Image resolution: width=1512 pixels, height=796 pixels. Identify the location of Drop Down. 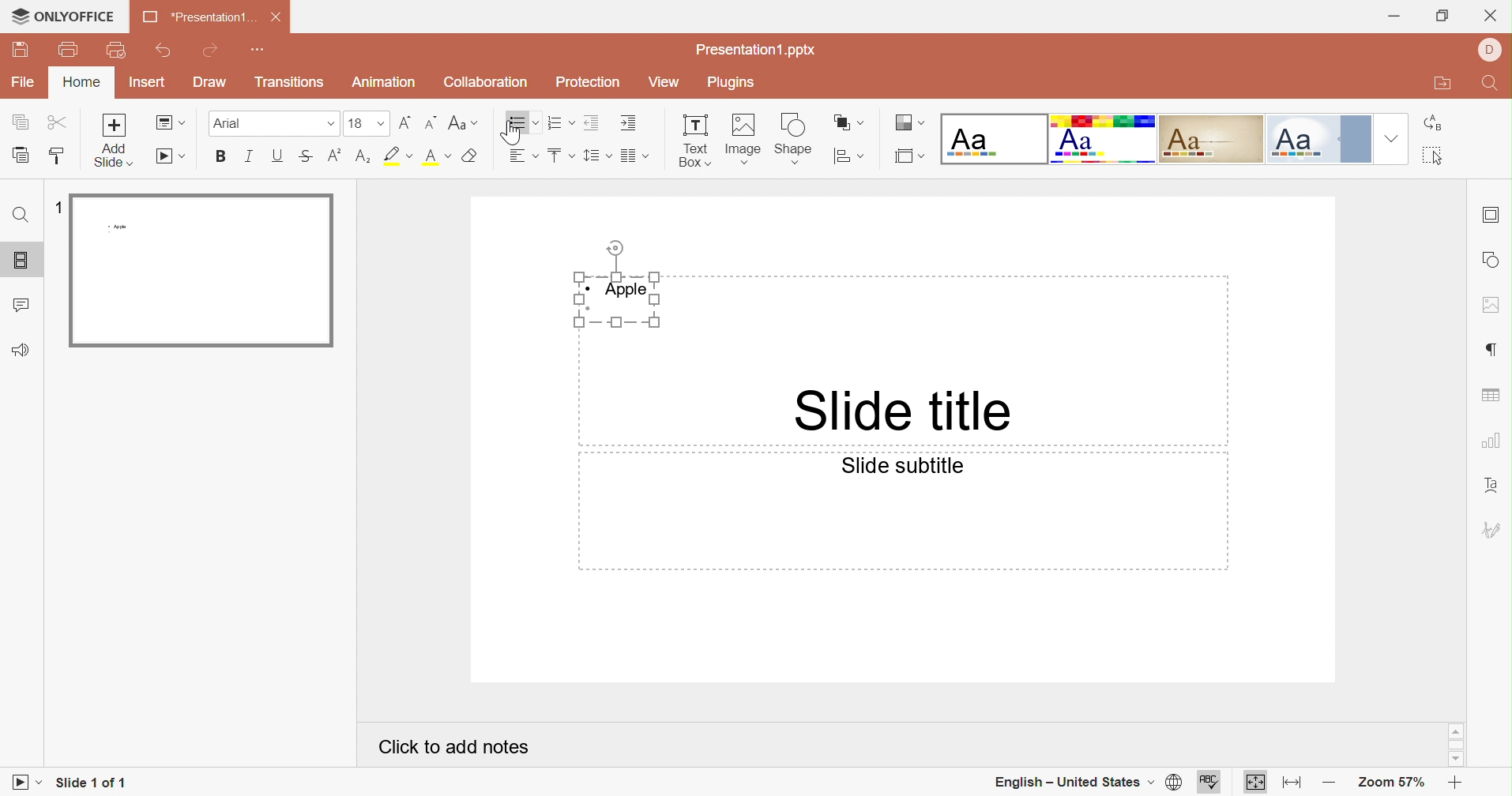
(379, 123).